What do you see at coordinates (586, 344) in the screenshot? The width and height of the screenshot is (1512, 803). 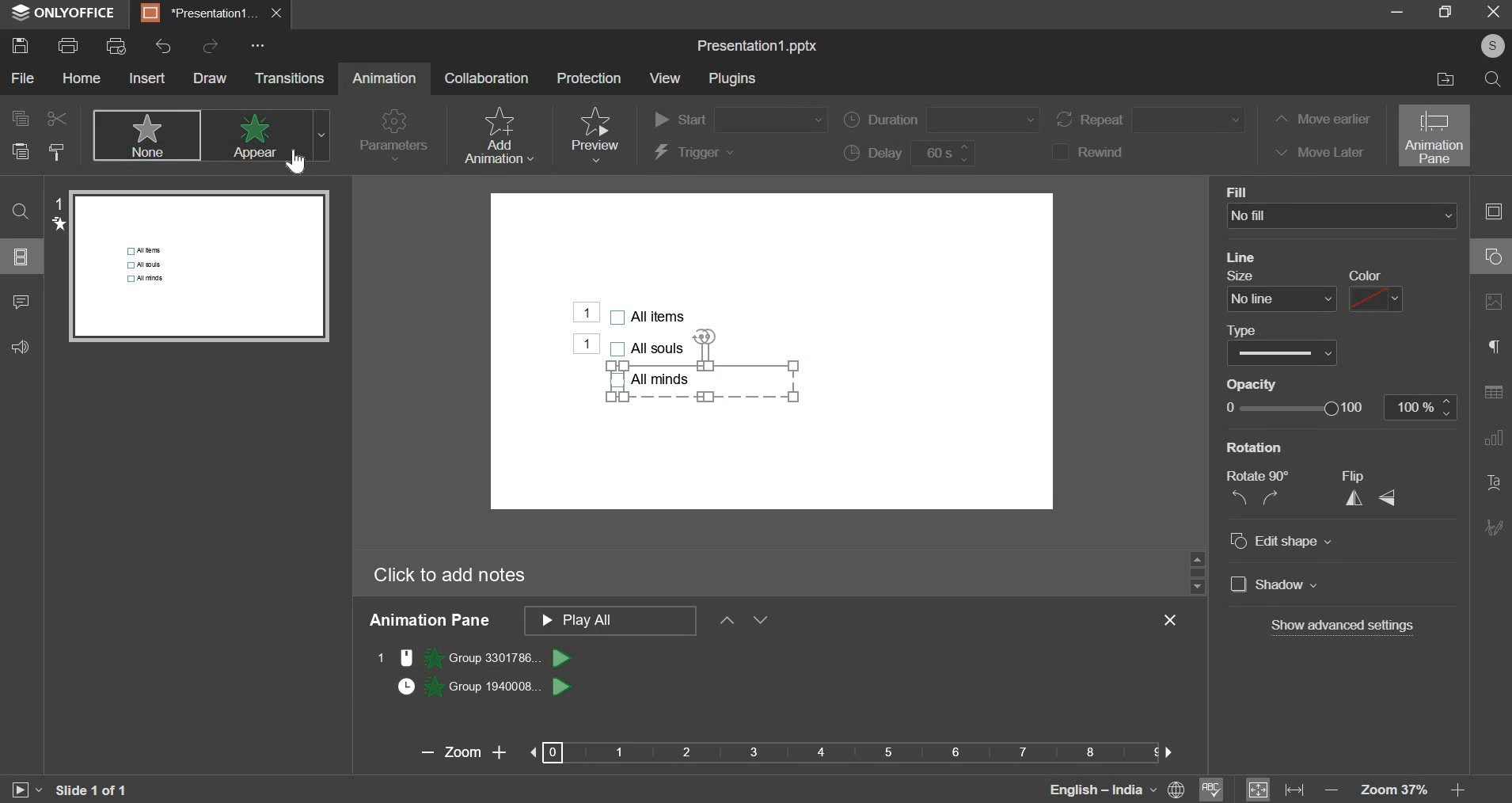 I see `Animation added` at bounding box center [586, 344].